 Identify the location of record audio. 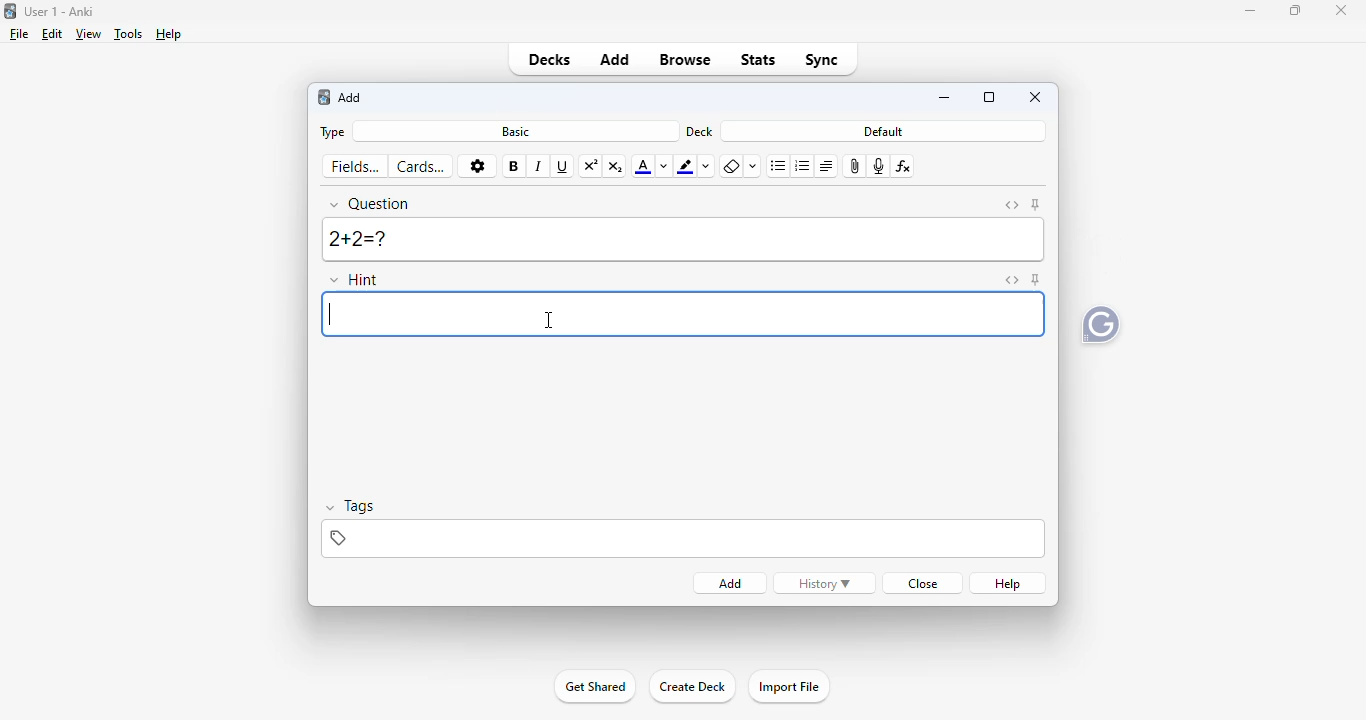
(879, 166).